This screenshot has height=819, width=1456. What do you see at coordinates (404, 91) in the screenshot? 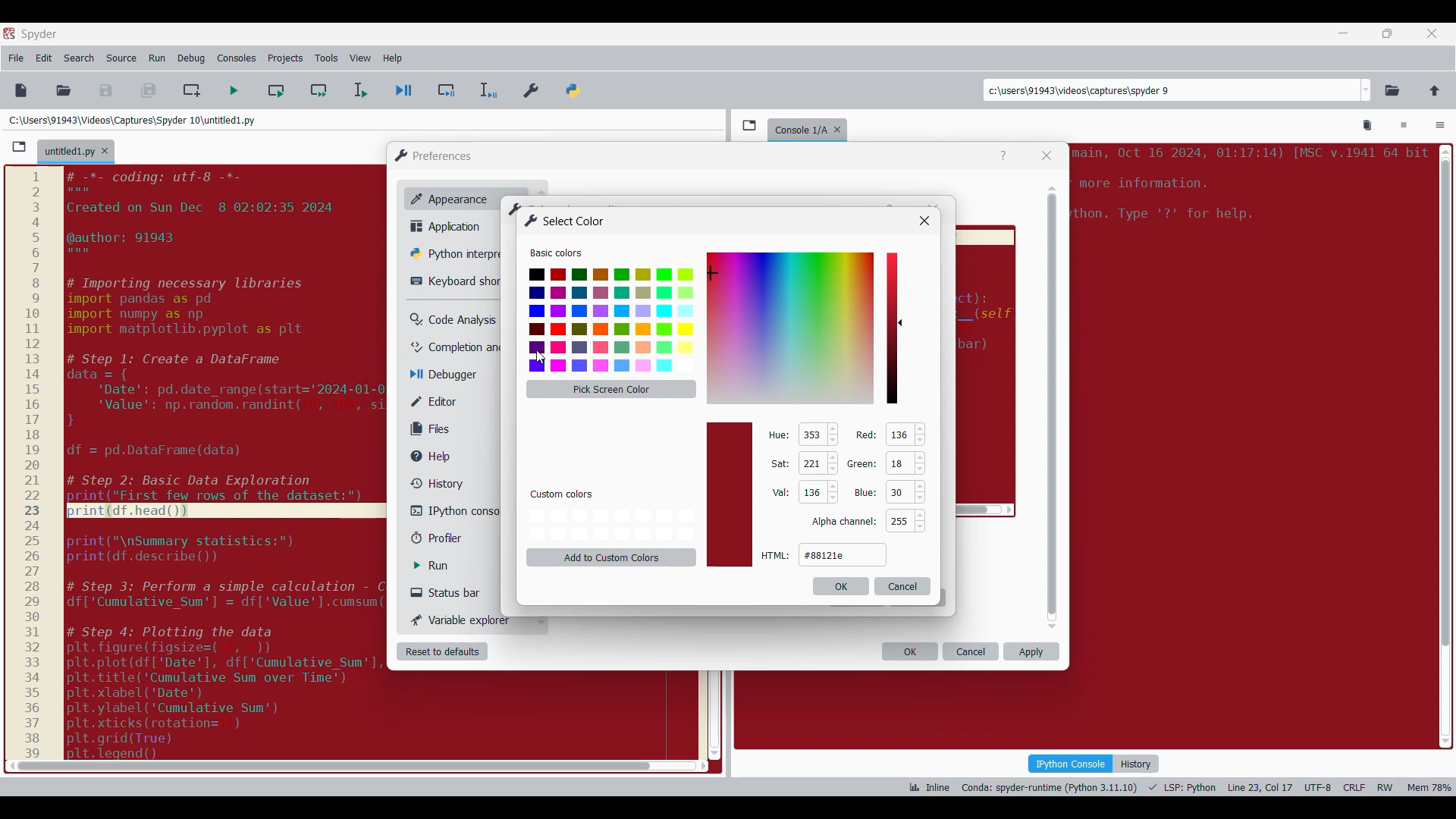
I see `Debug file` at bounding box center [404, 91].